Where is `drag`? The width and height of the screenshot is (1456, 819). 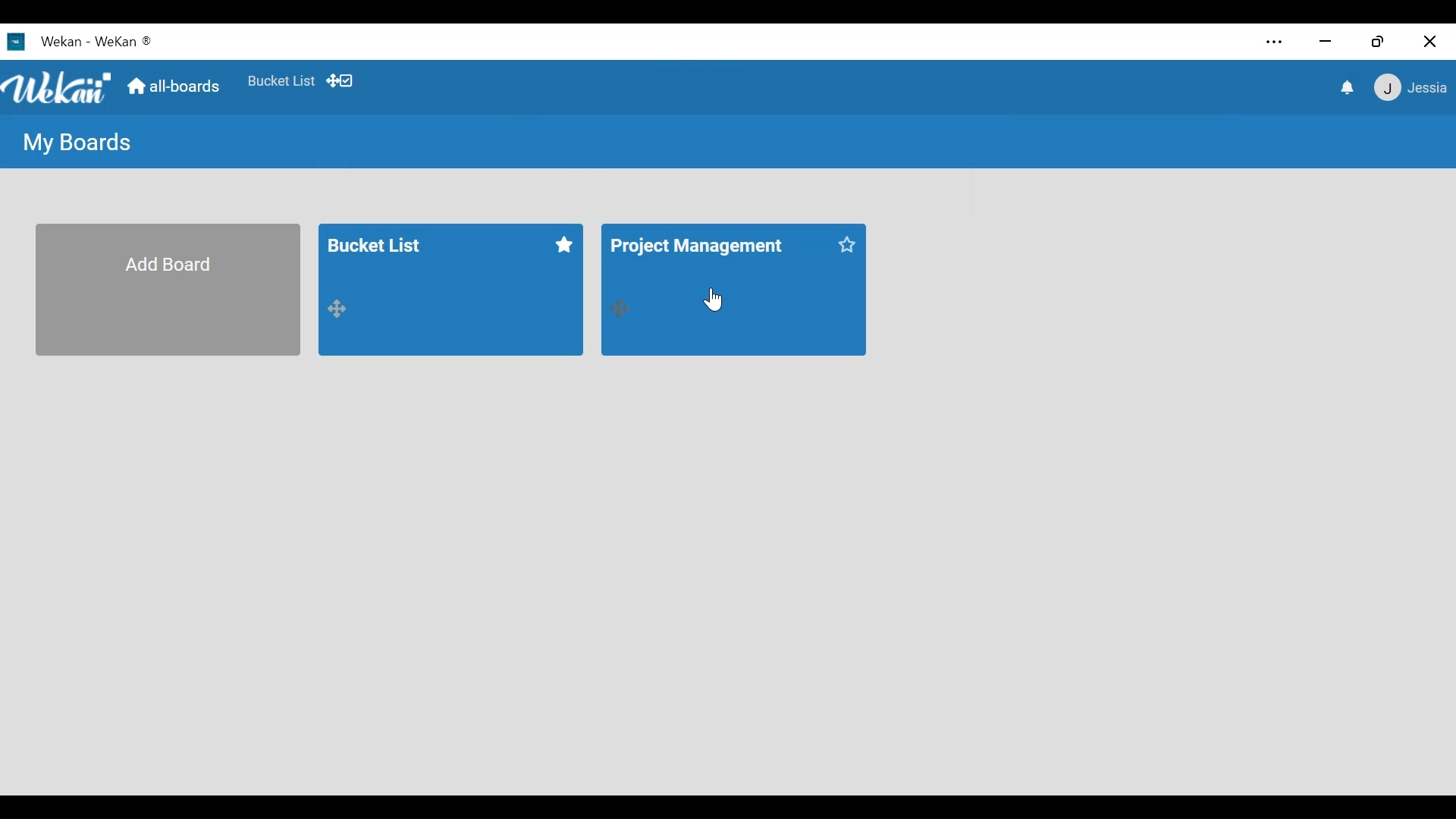 drag is located at coordinates (618, 306).